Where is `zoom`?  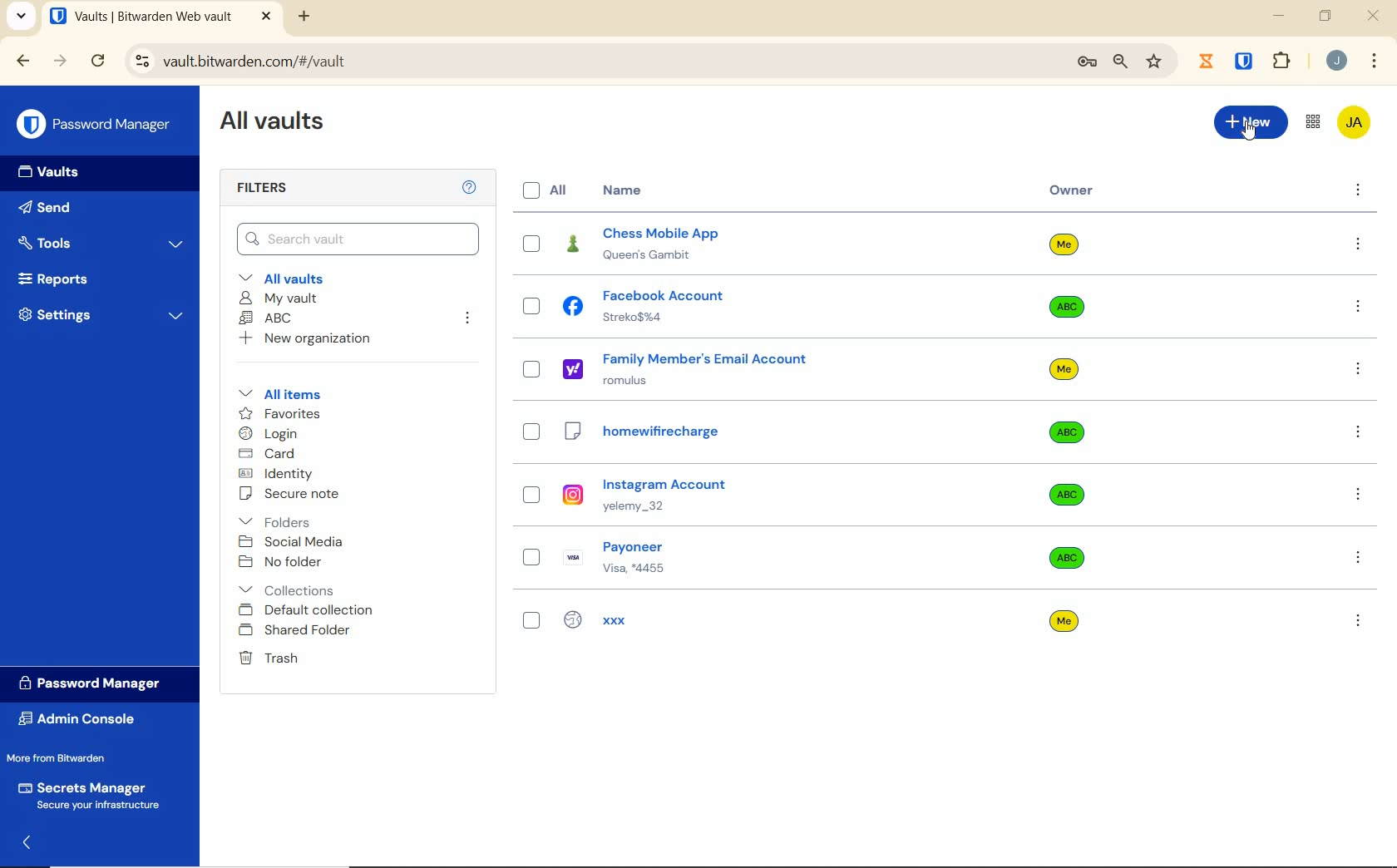
zoom is located at coordinates (1118, 62).